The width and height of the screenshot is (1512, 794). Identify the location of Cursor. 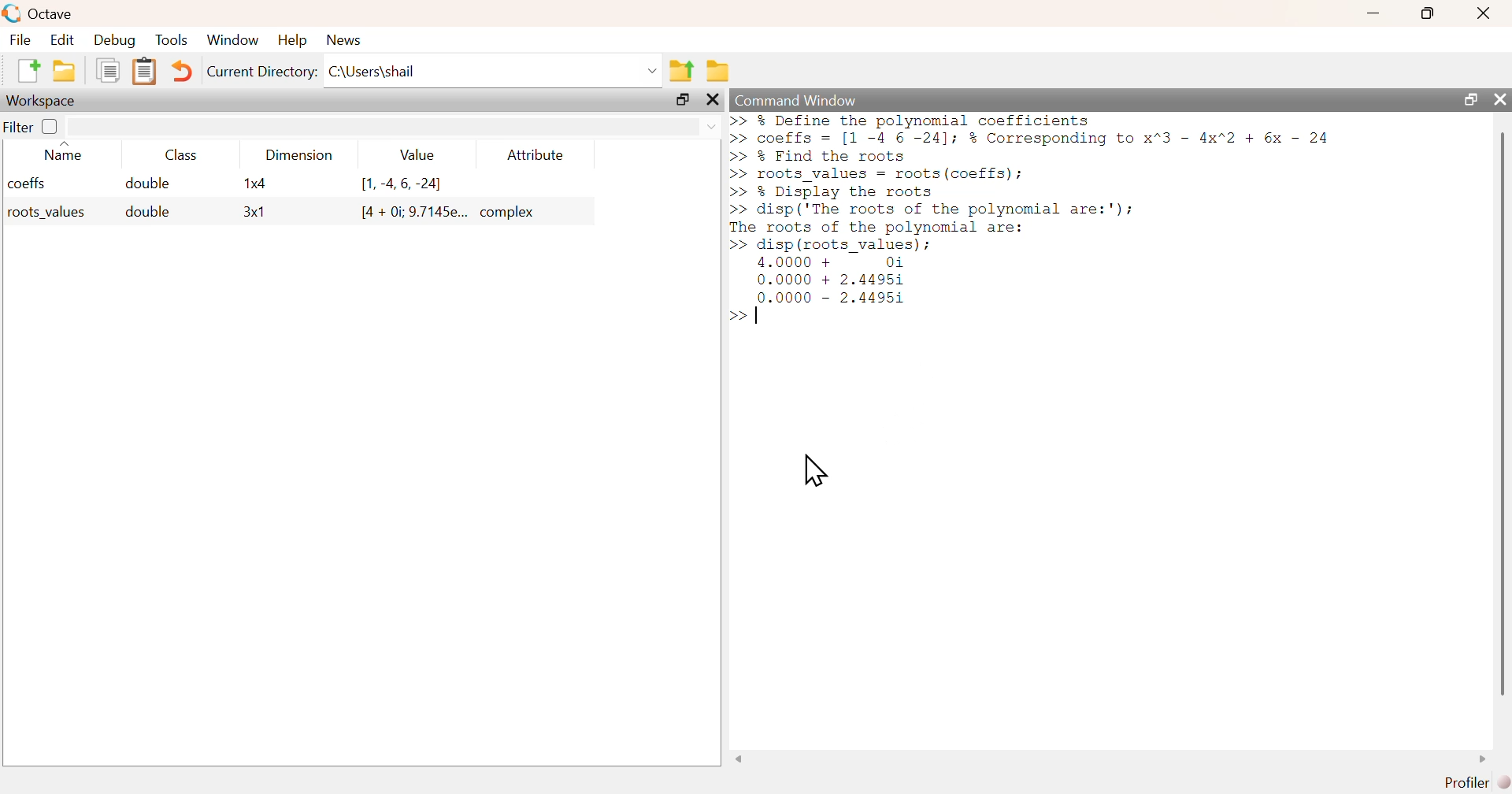
(817, 470).